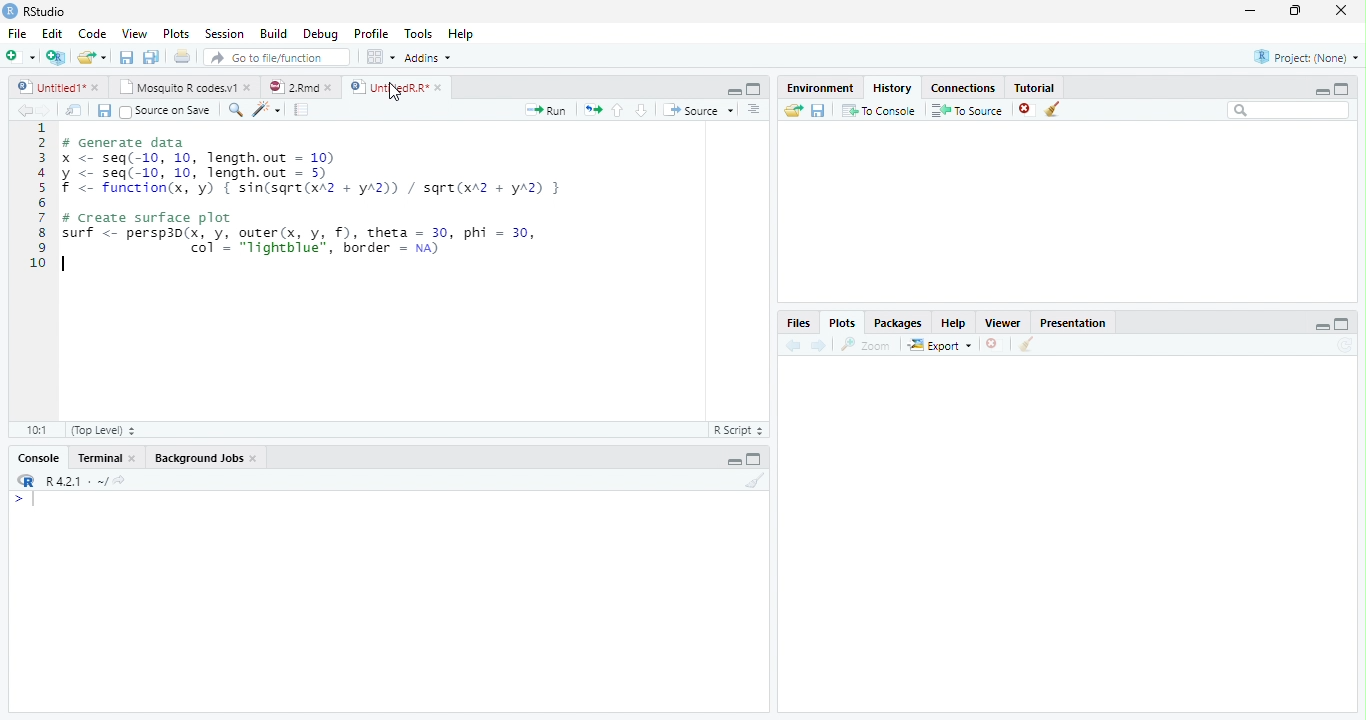 This screenshot has height=720, width=1366. Describe the element at coordinates (175, 87) in the screenshot. I see `Mosquito R codes.v1` at that location.